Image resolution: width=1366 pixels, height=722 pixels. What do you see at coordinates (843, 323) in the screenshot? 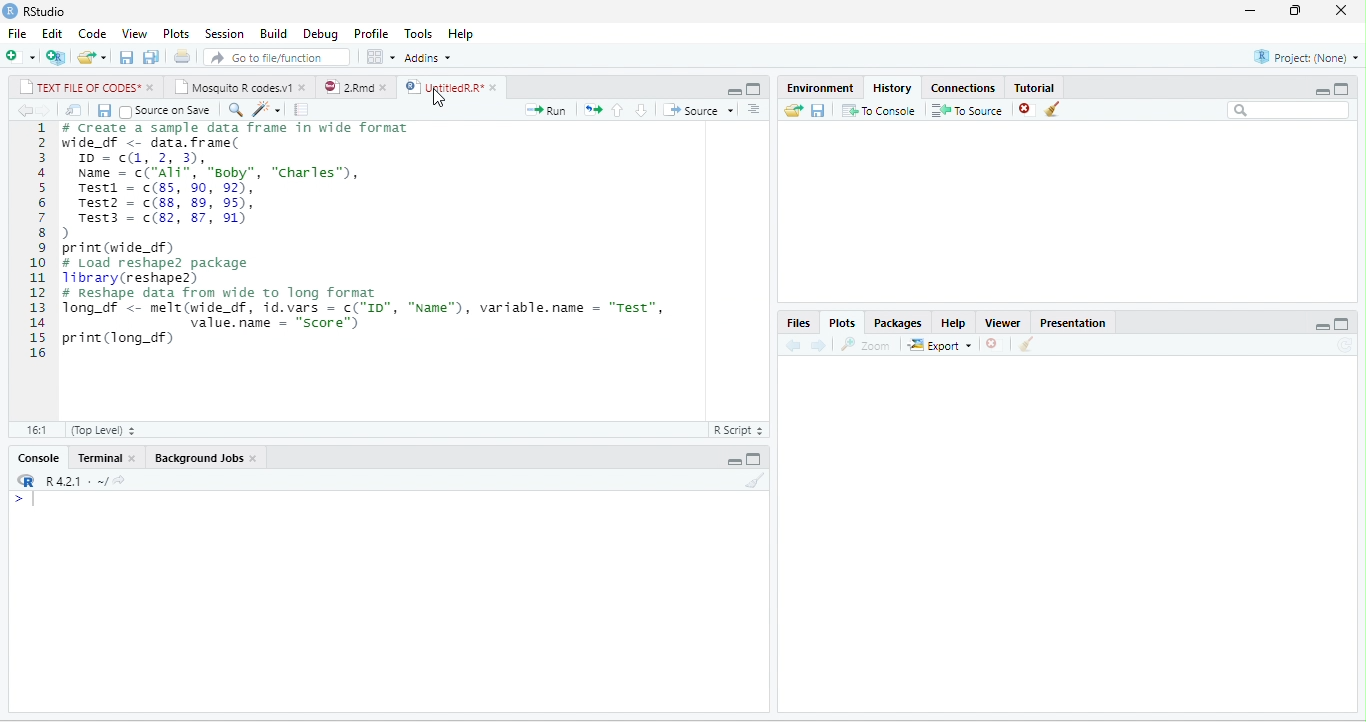
I see `Plots` at bounding box center [843, 323].